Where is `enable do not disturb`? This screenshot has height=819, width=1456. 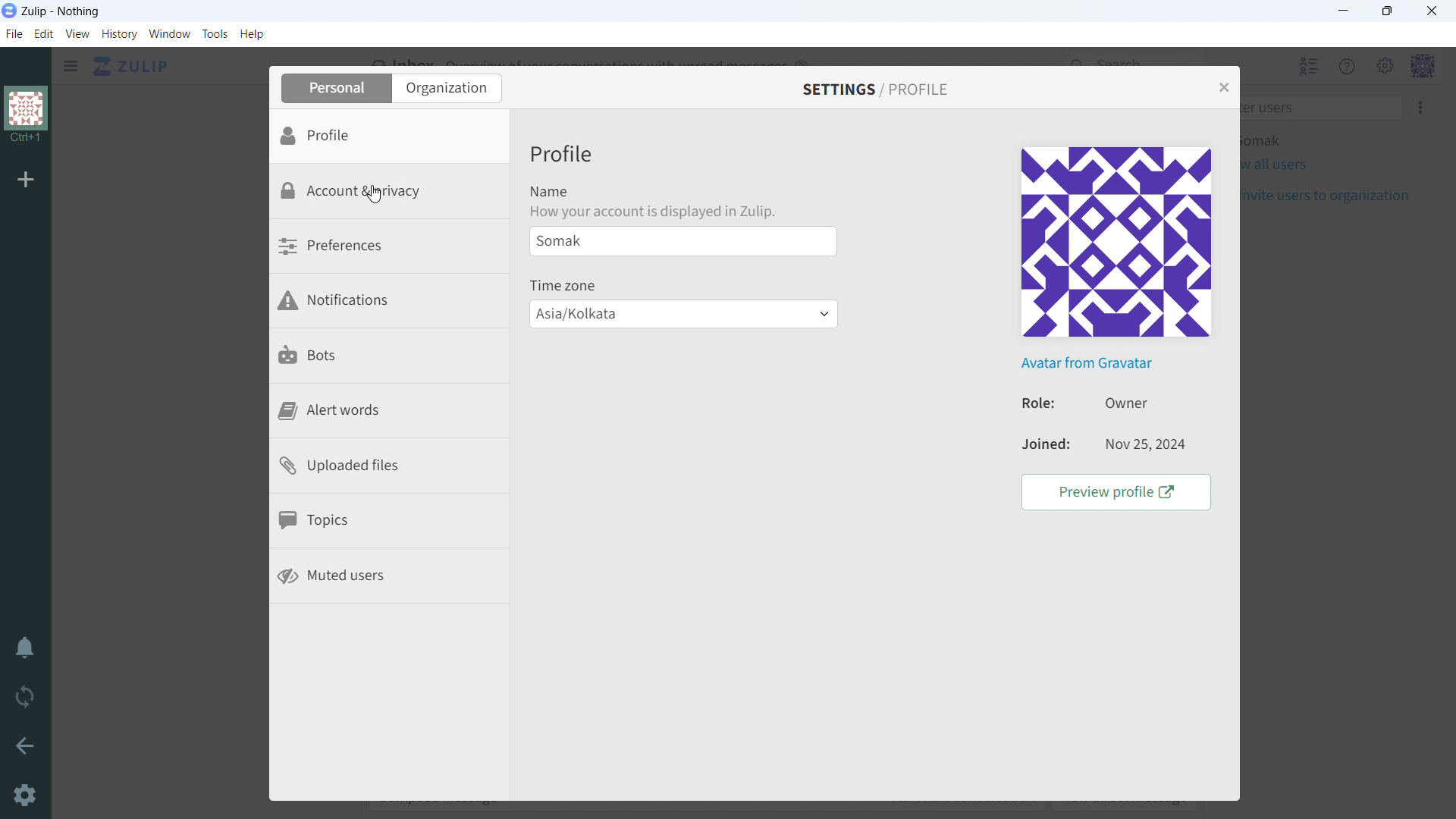 enable do not disturb is located at coordinates (25, 647).